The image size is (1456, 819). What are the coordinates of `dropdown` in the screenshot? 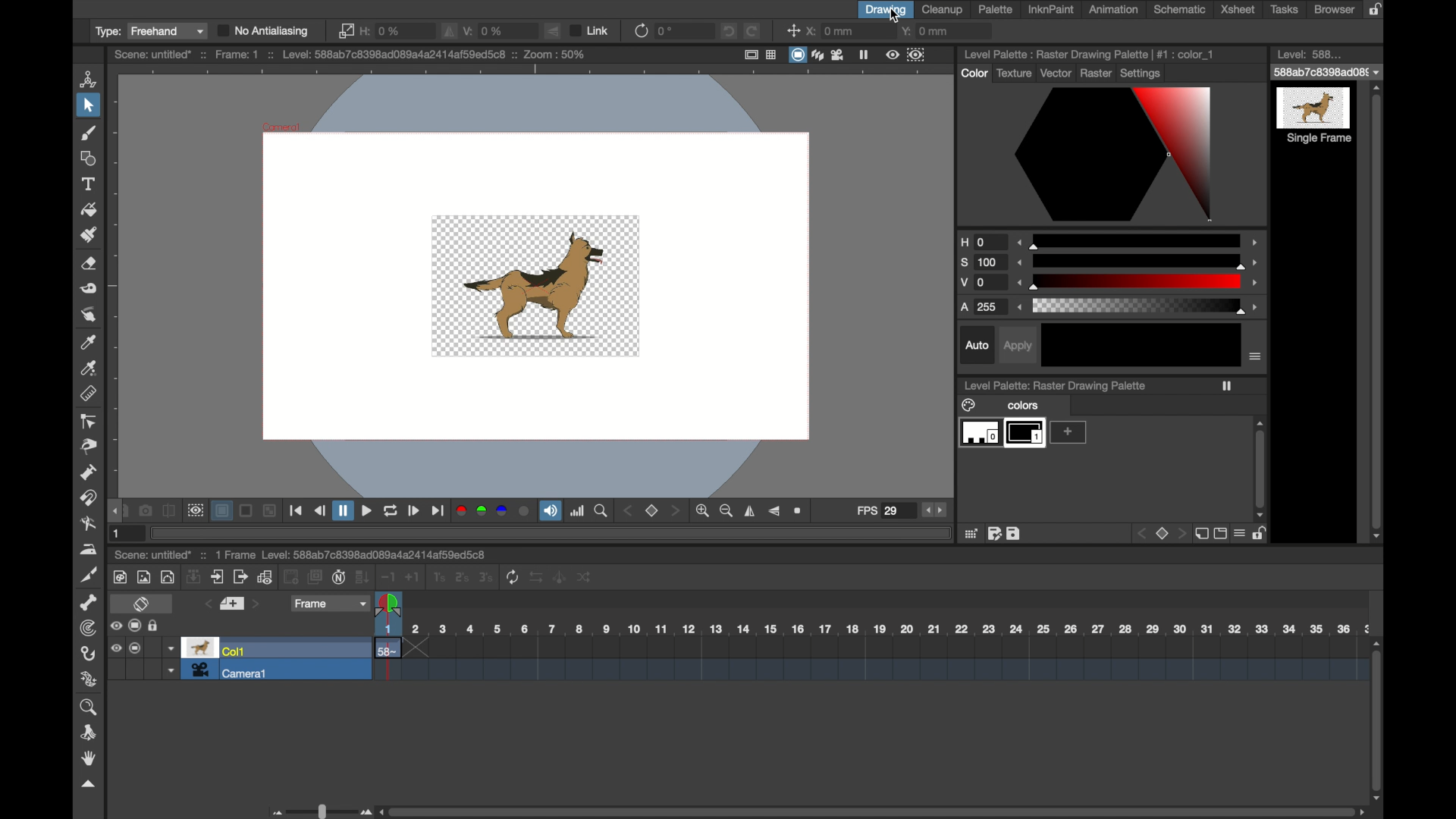 It's located at (169, 670).